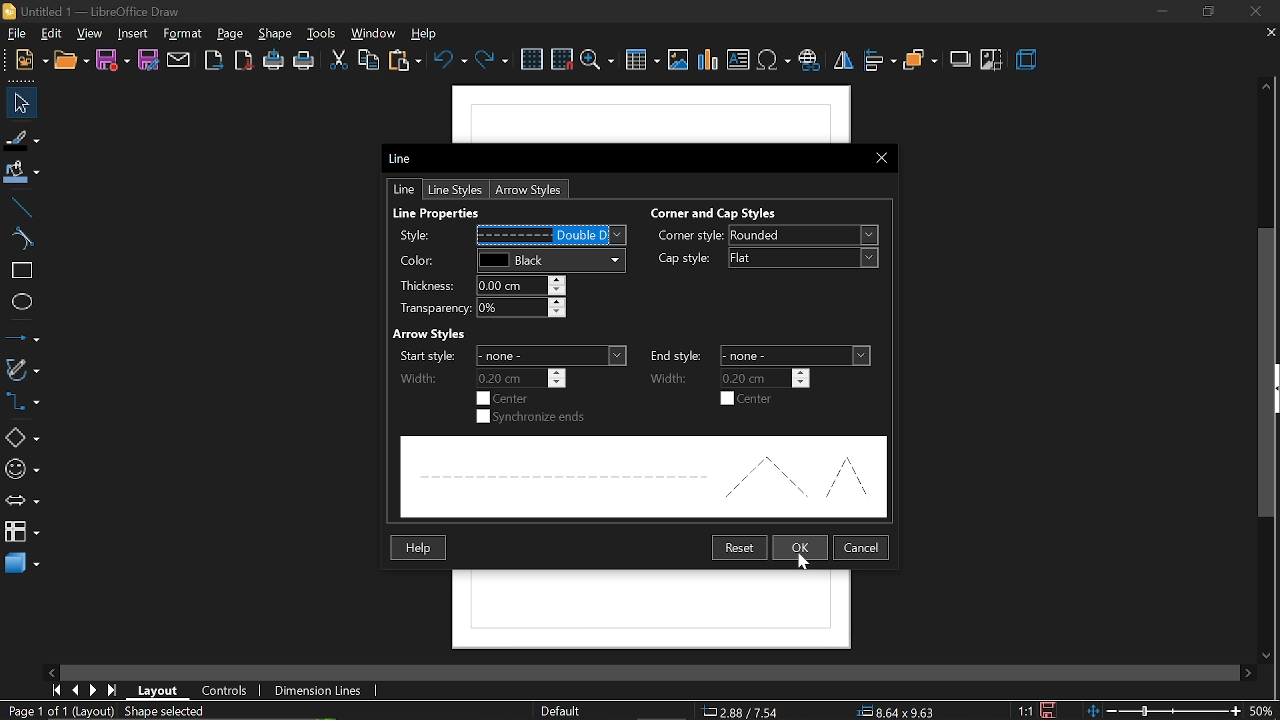 This screenshot has width=1280, height=720. I want to click on end center, so click(747, 400).